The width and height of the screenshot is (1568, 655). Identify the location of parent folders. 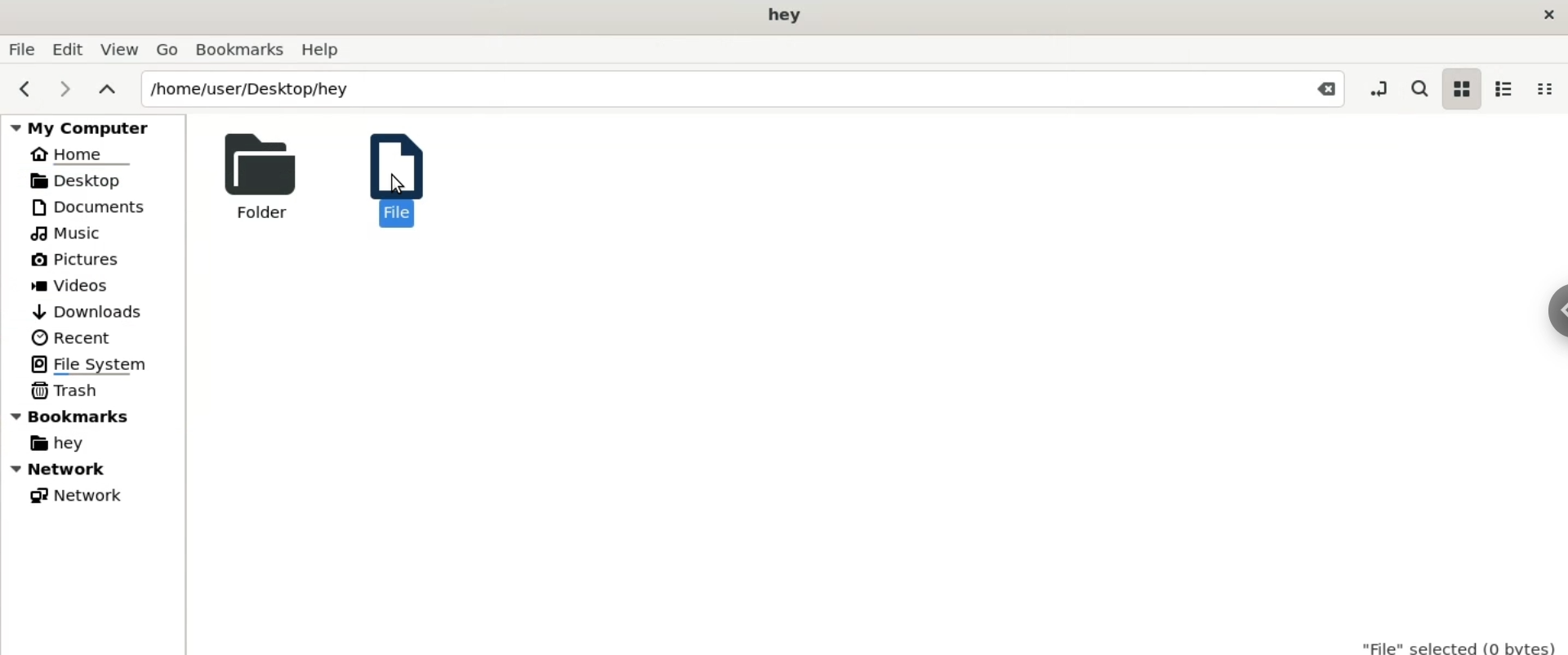
(105, 89).